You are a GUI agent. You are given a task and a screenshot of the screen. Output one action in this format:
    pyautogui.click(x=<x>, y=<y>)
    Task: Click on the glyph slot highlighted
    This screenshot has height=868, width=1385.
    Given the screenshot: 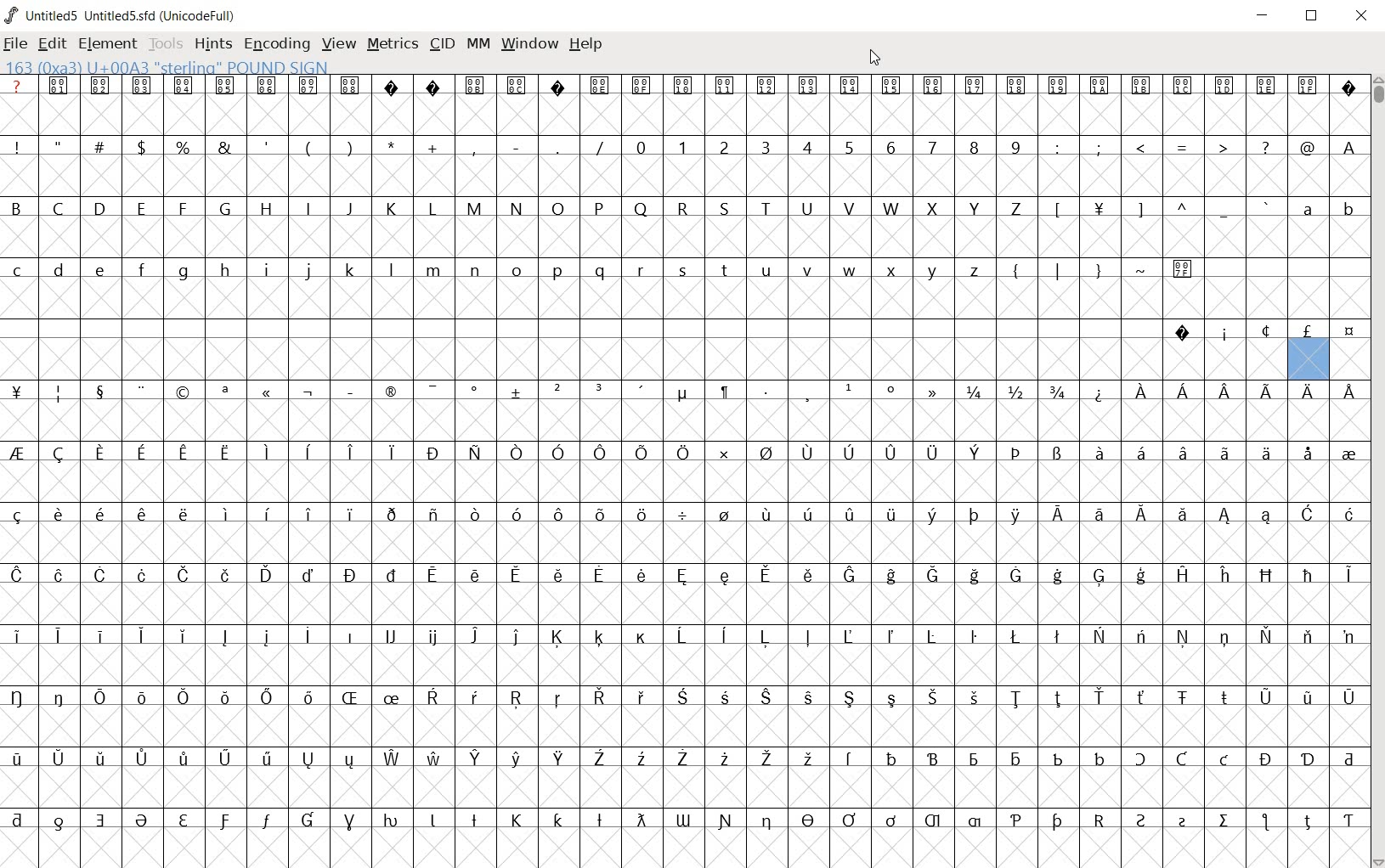 What is the action you would take?
    pyautogui.click(x=1309, y=360)
    